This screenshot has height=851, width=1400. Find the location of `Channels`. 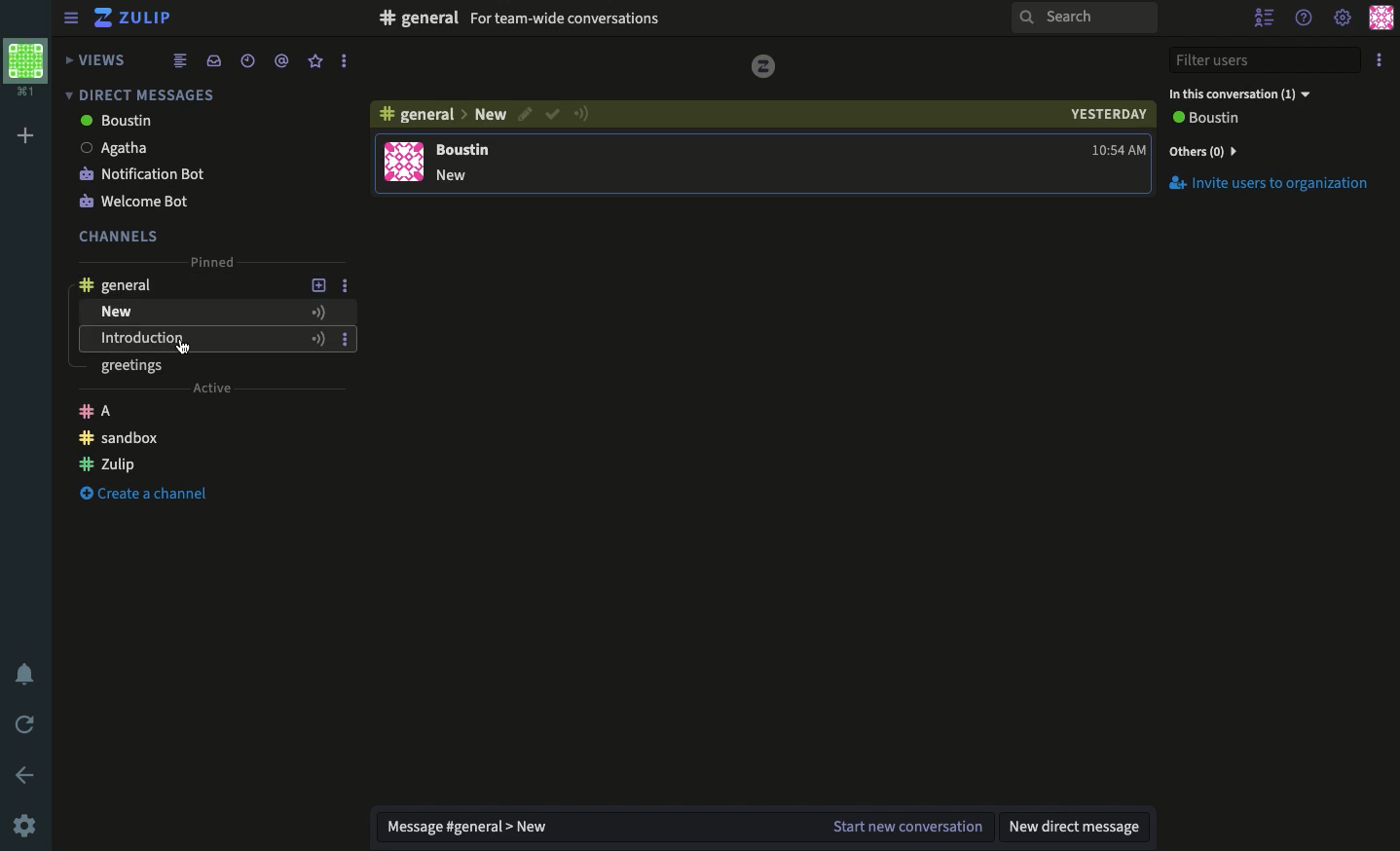

Channels is located at coordinates (119, 236).